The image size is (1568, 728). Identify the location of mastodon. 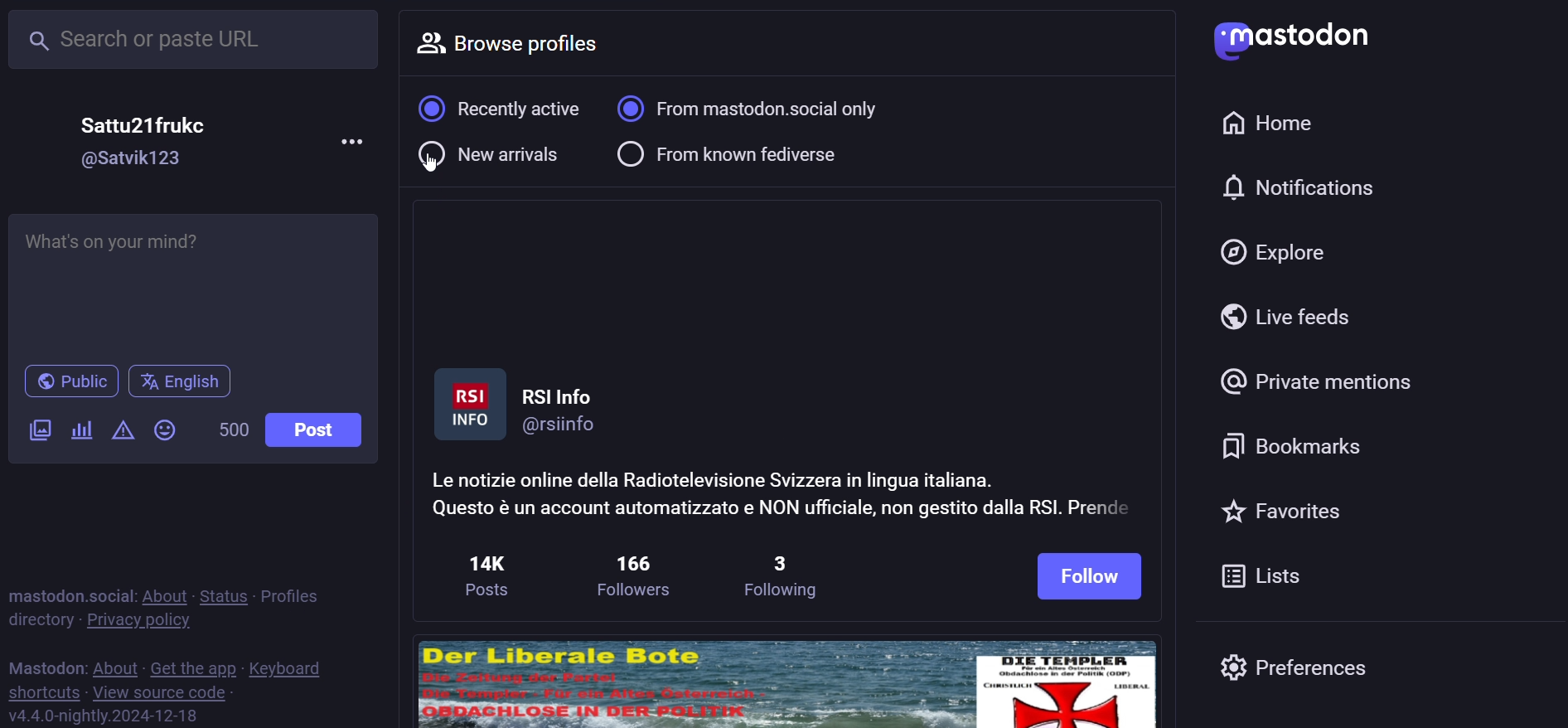
(1293, 40).